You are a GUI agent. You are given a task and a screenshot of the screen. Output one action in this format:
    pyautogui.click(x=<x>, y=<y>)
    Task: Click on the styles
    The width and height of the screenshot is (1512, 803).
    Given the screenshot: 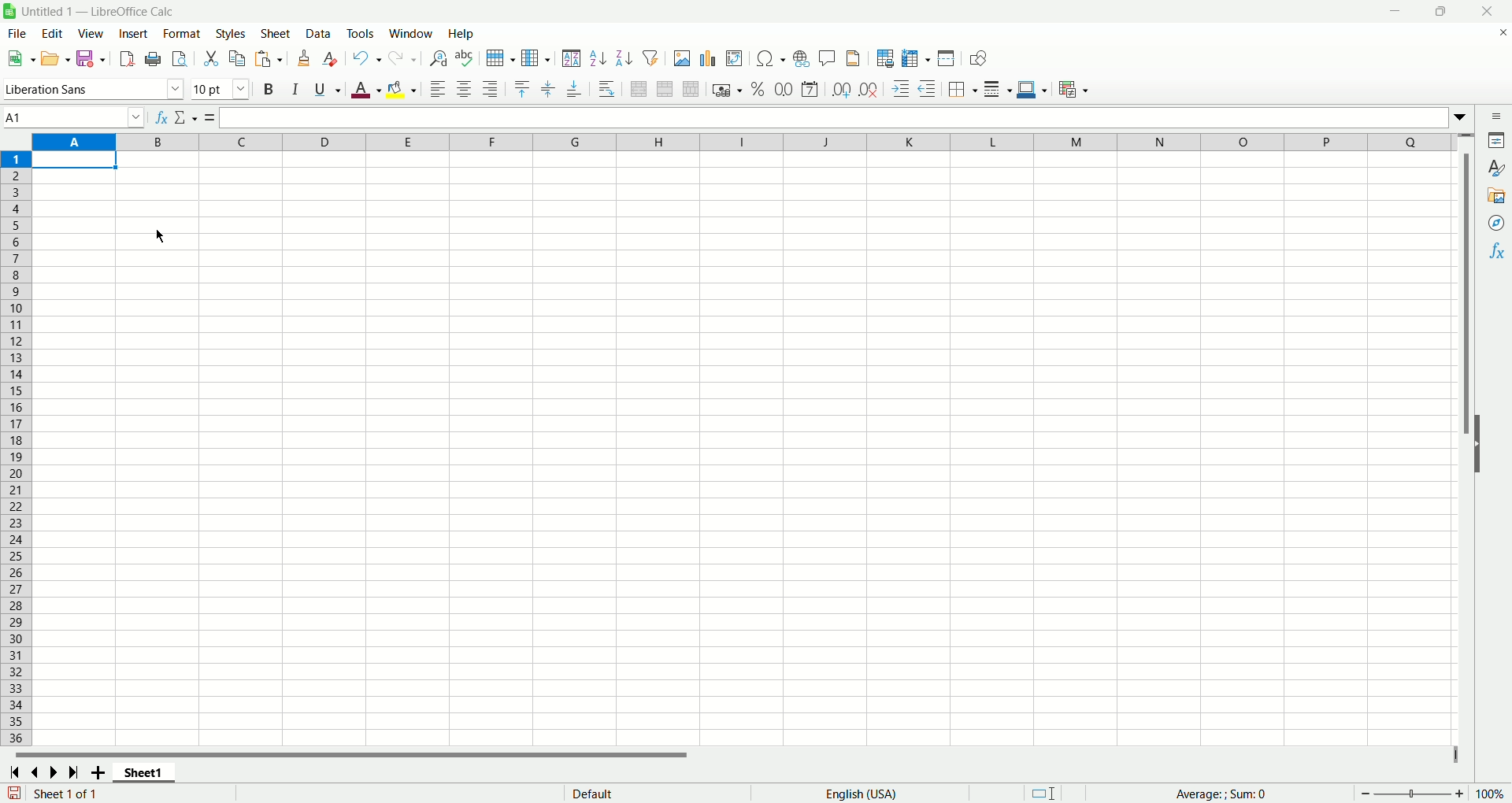 What is the action you would take?
    pyautogui.click(x=231, y=34)
    